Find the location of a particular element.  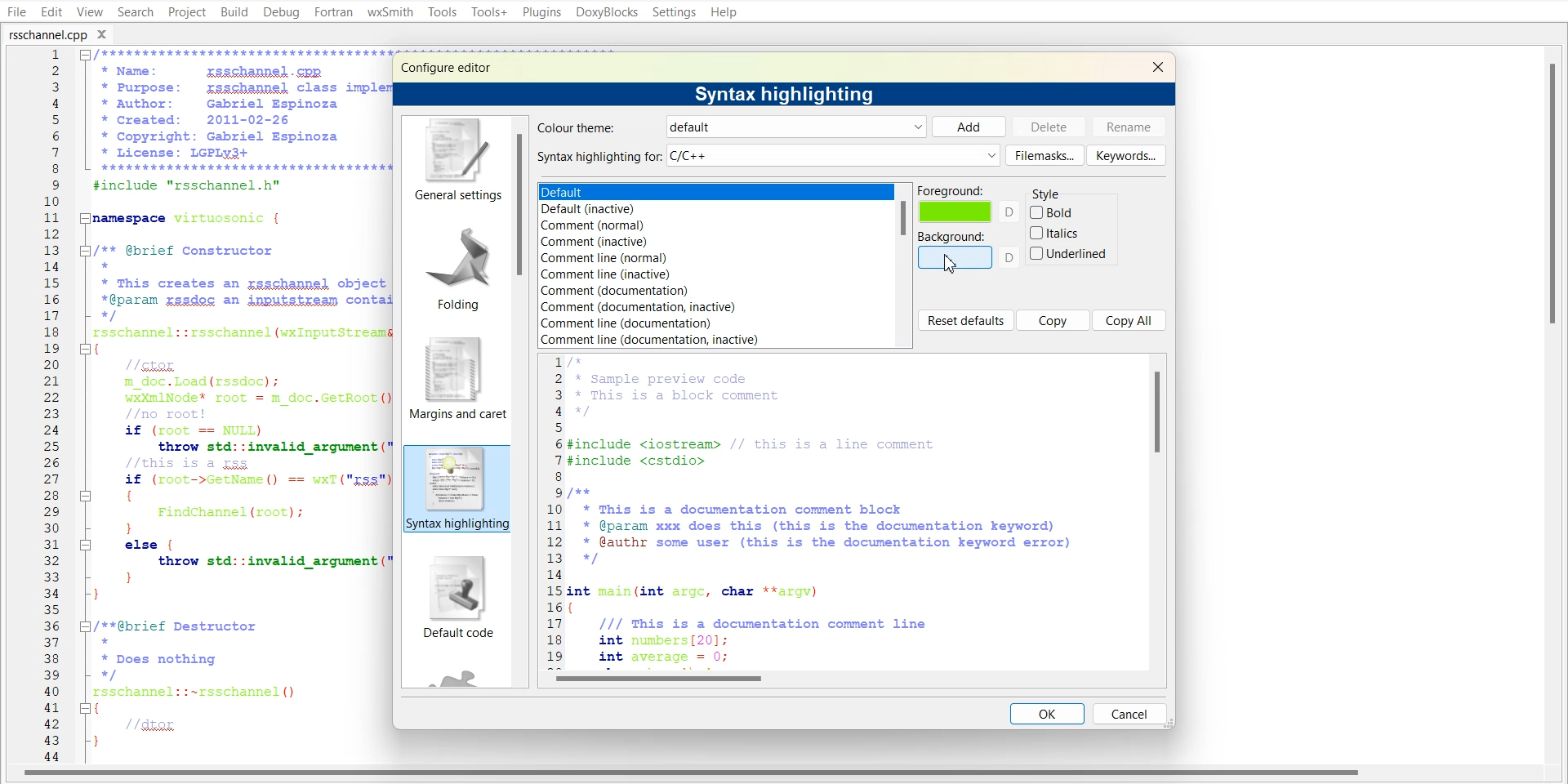

Italics is located at coordinates (1056, 233).